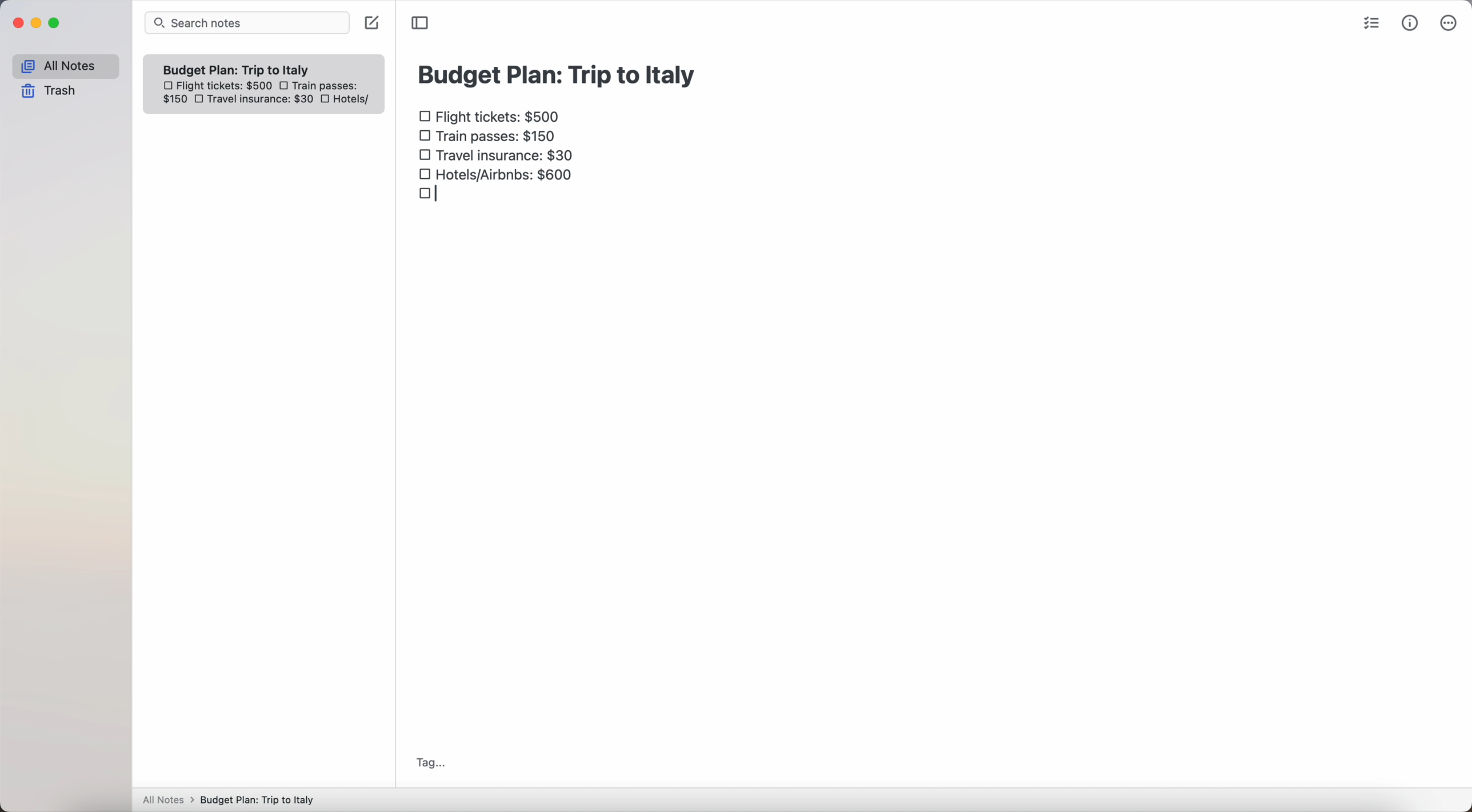  Describe the element at coordinates (65, 66) in the screenshot. I see `all notes` at that location.